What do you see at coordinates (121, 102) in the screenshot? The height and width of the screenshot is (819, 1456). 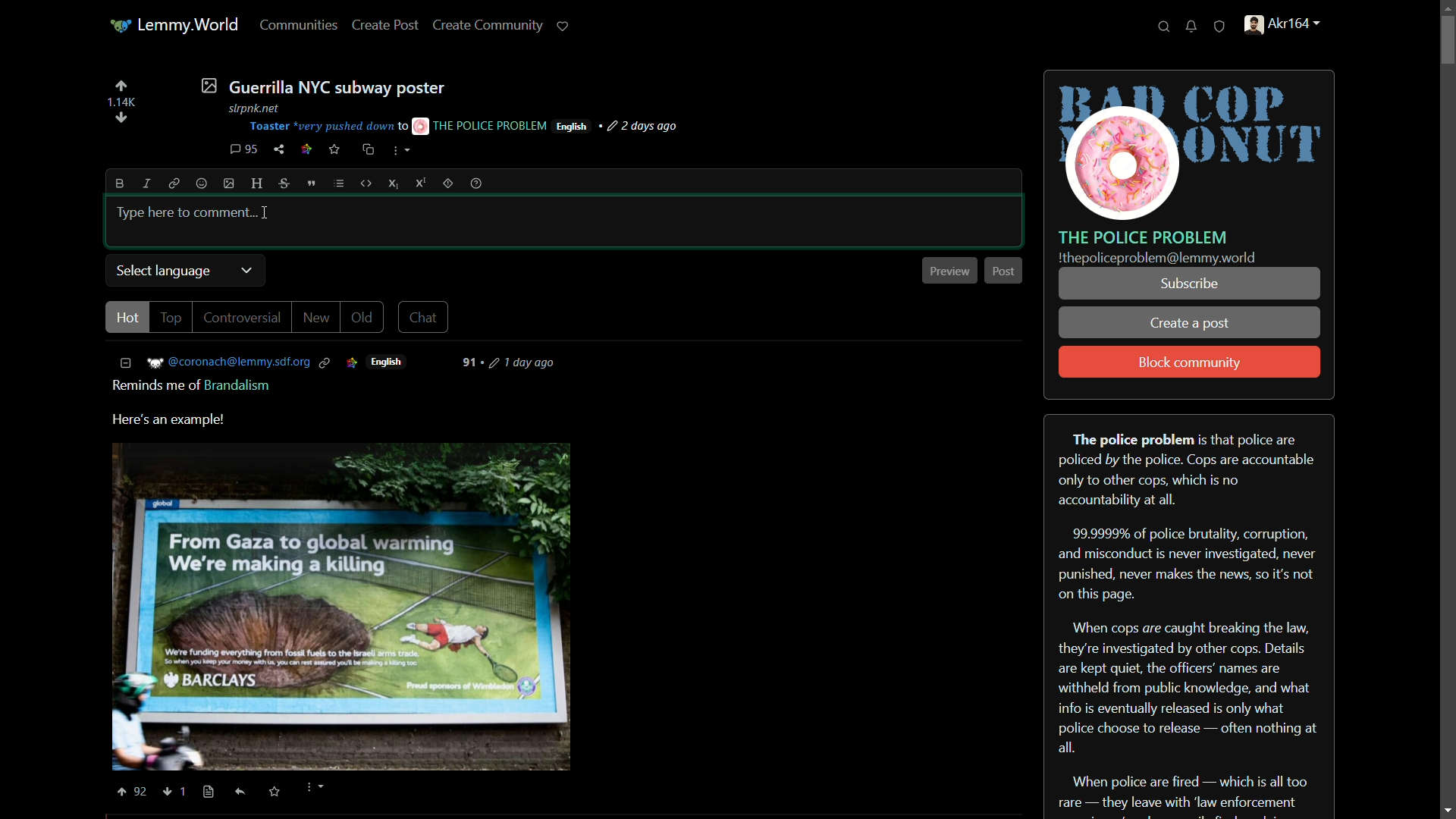 I see `number of votes` at bounding box center [121, 102].